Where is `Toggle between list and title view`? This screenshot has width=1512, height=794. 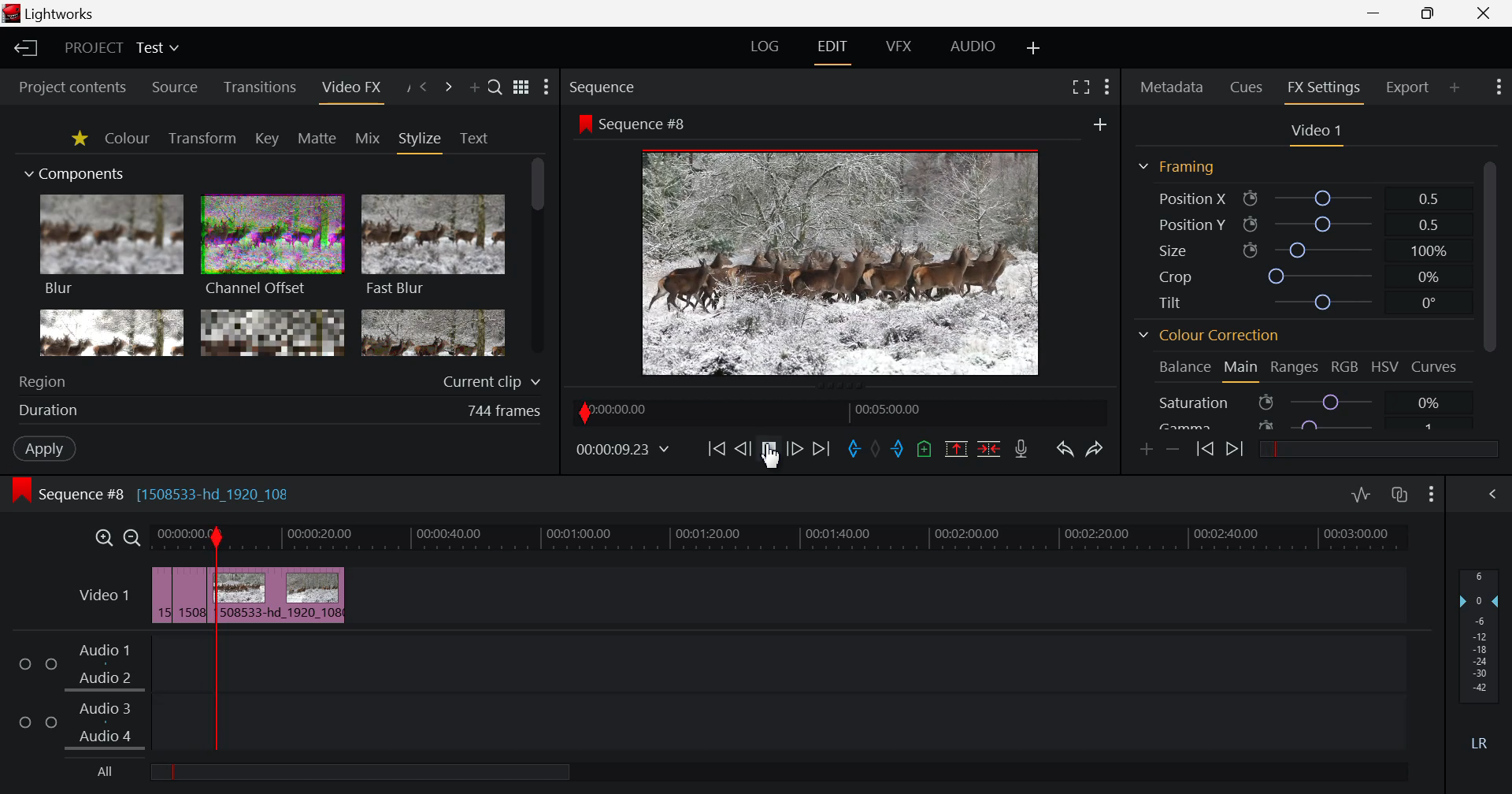 Toggle between list and title view is located at coordinates (521, 87).